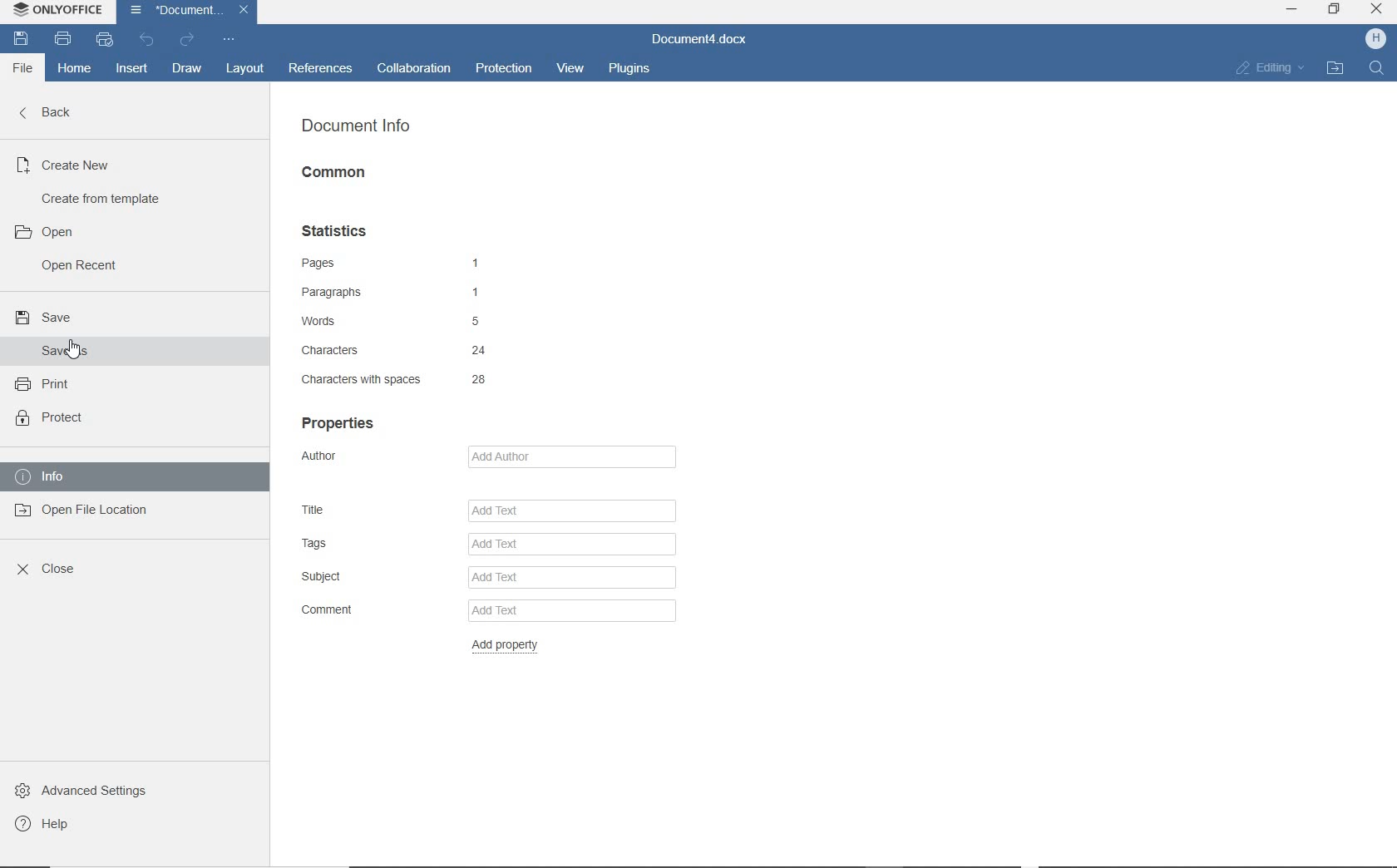 The image size is (1397, 868). I want to click on characters with spaces 28, so click(398, 380).